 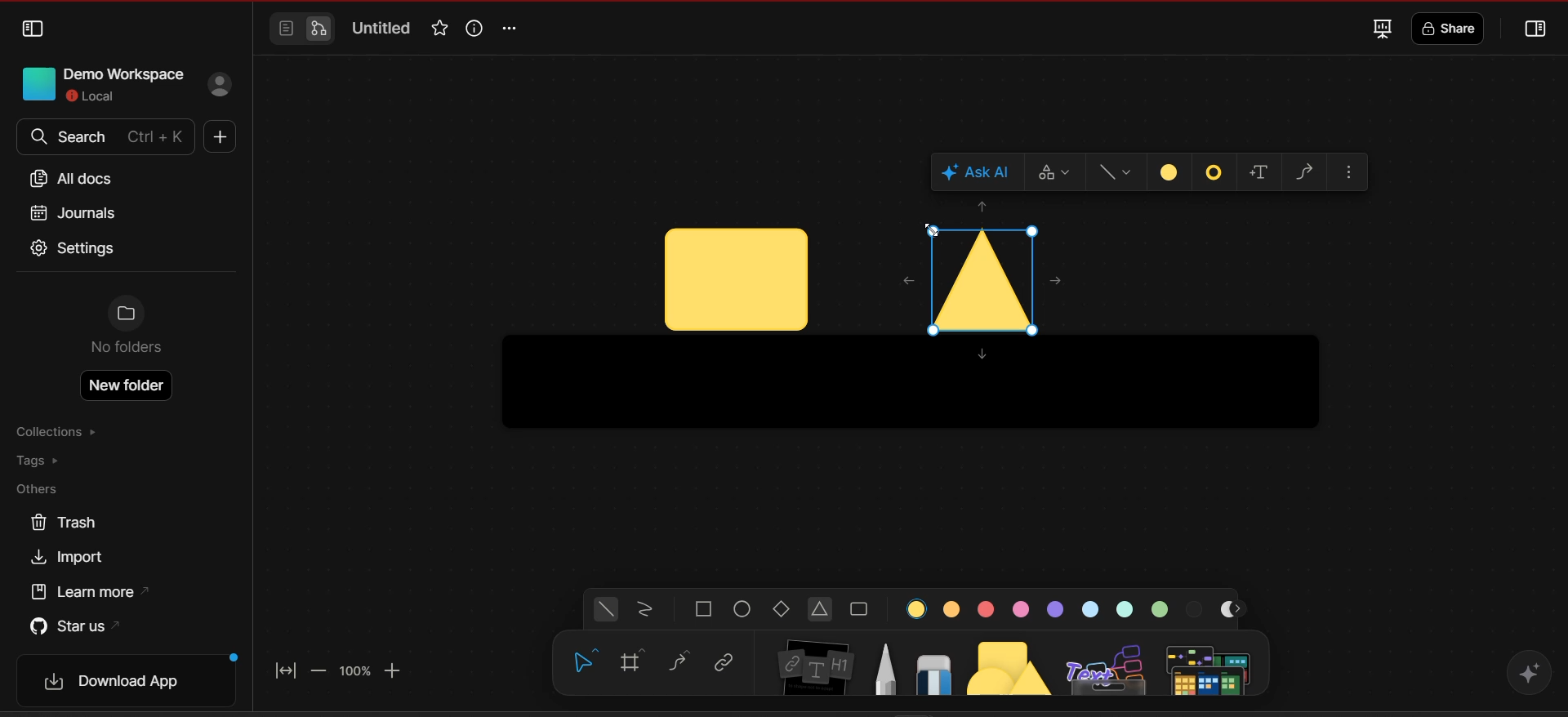 What do you see at coordinates (1058, 281) in the screenshot?
I see `move right` at bounding box center [1058, 281].